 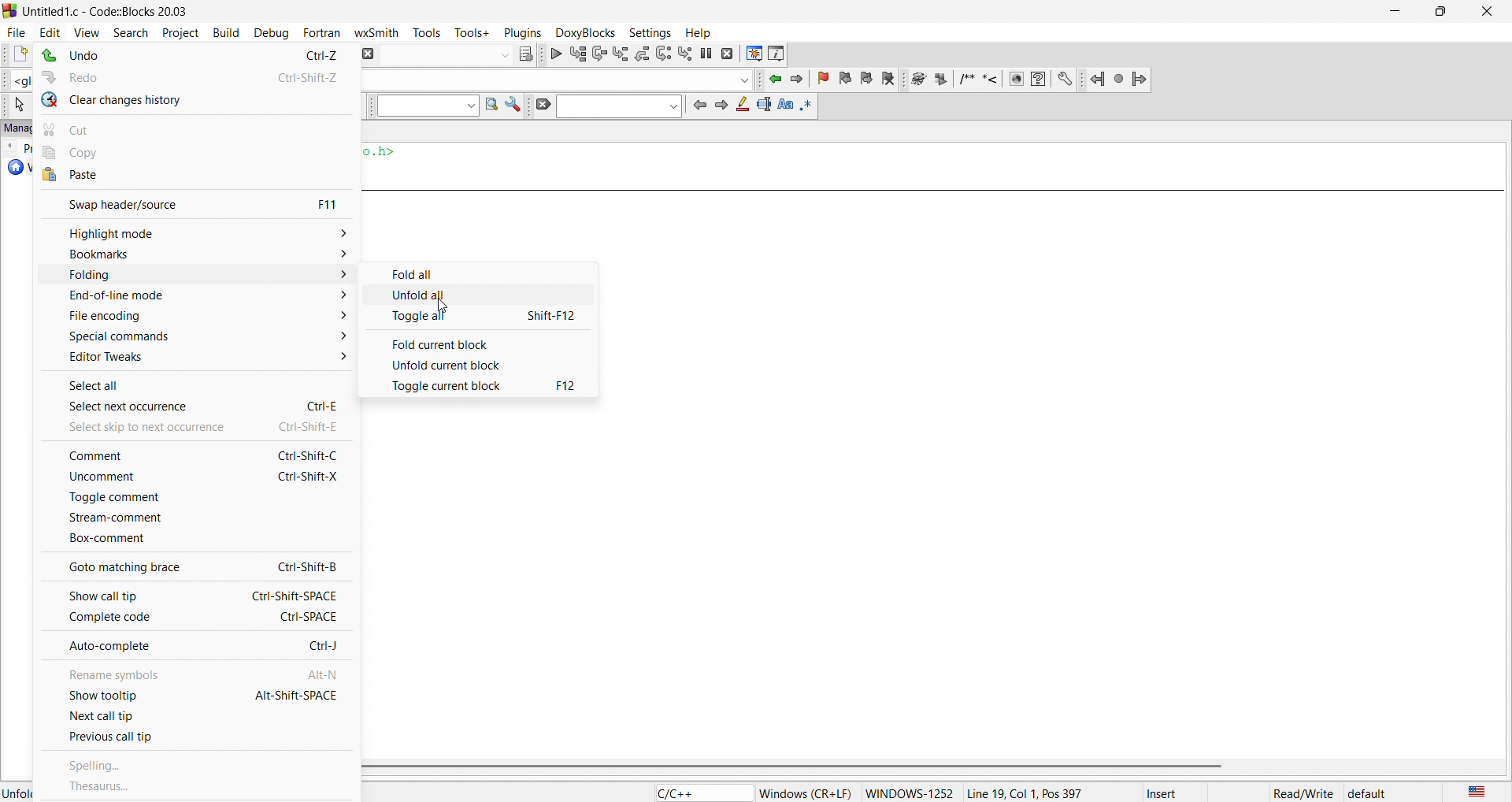 What do you see at coordinates (125, 31) in the screenshot?
I see `search` at bounding box center [125, 31].